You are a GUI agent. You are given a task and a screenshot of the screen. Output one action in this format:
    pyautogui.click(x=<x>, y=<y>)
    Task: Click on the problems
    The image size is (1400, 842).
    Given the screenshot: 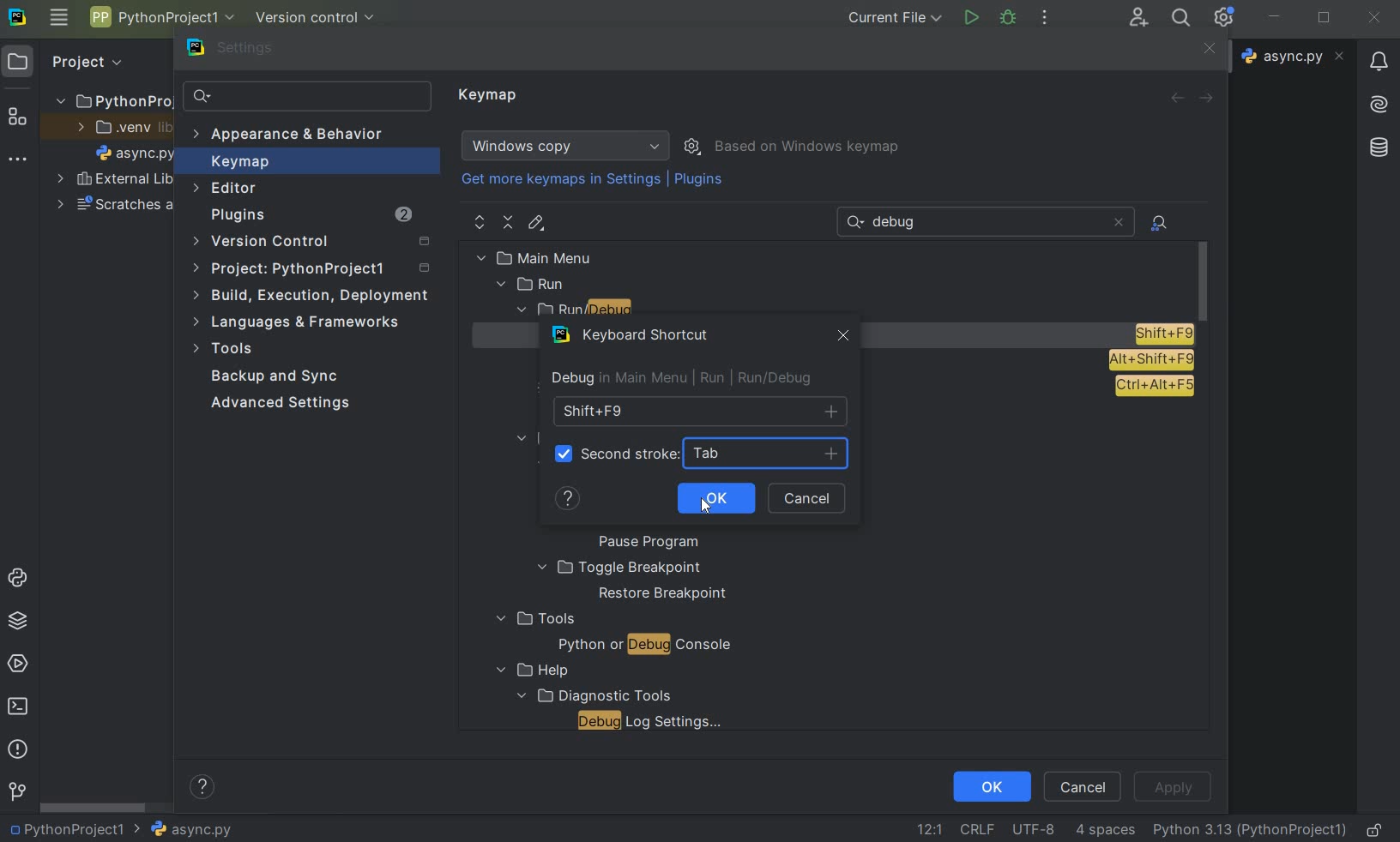 What is the action you would take?
    pyautogui.click(x=16, y=748)
    